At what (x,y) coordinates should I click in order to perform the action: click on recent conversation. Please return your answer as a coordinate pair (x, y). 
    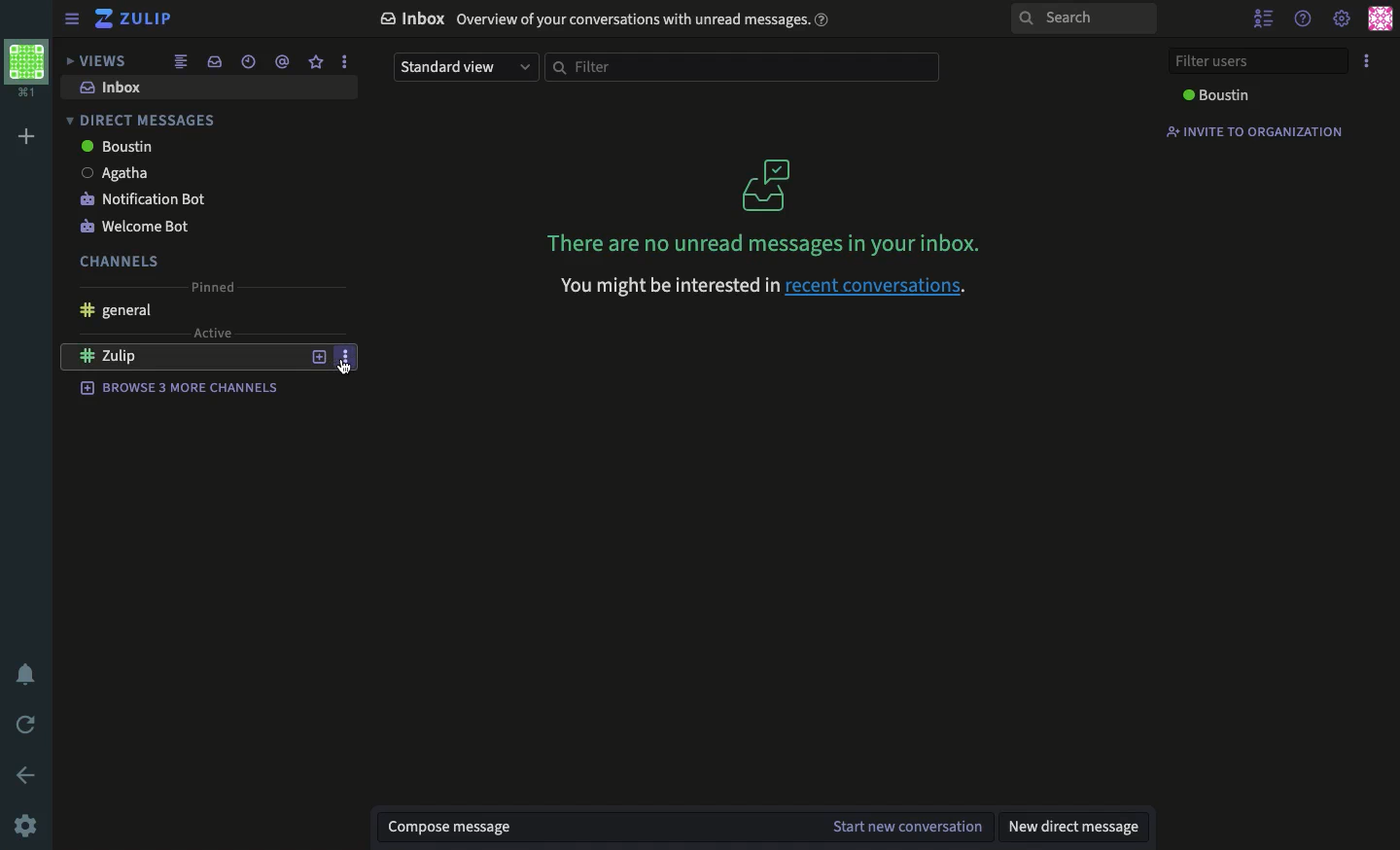
    Looking at the image, I should click on (252, 62).